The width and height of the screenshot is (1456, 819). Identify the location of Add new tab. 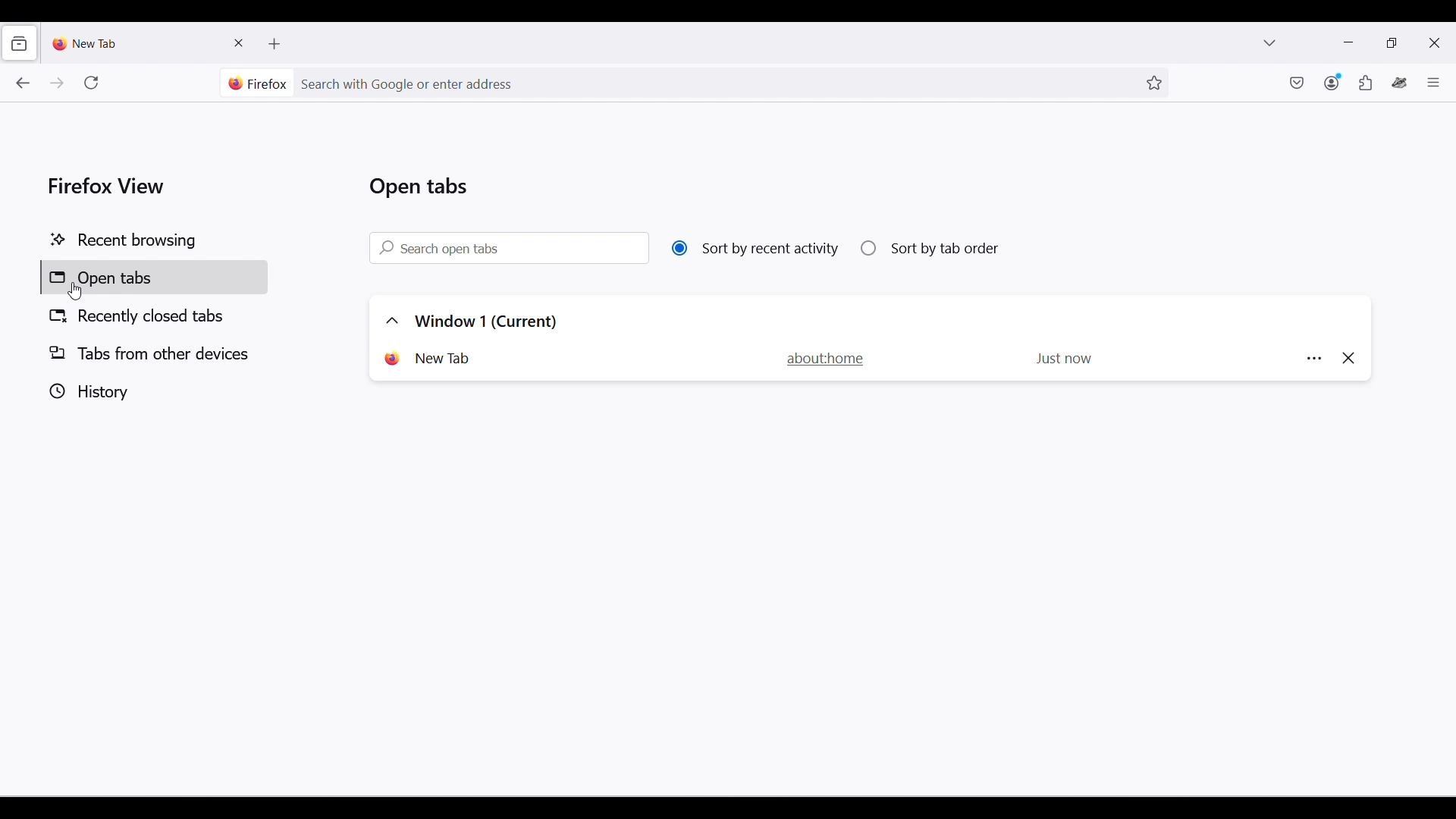
(275, 44).